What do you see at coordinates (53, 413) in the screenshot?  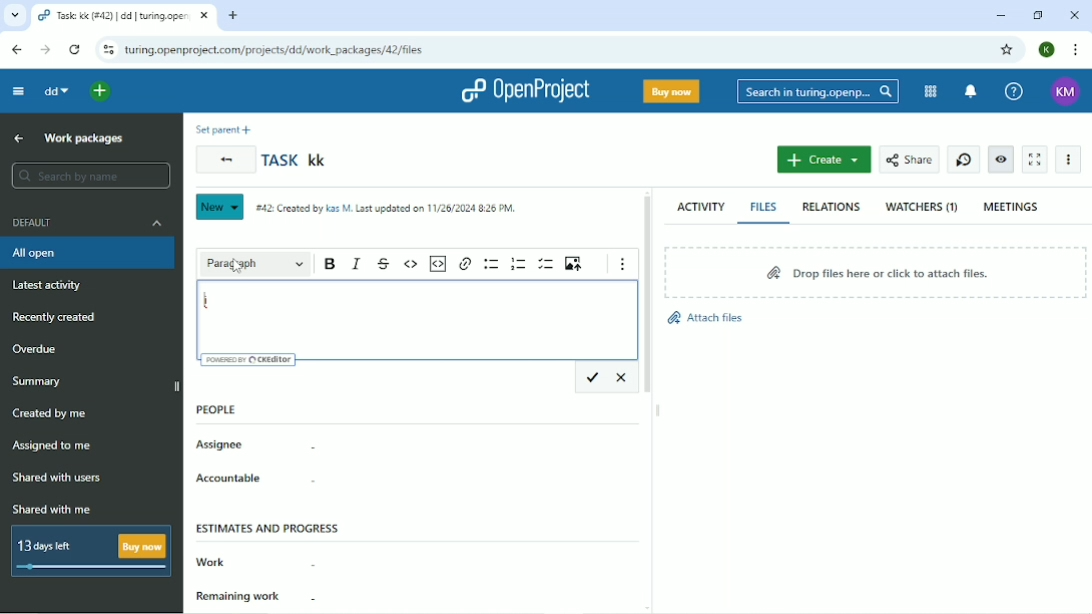 I see `Created by me` at bounding box center [53, 413].